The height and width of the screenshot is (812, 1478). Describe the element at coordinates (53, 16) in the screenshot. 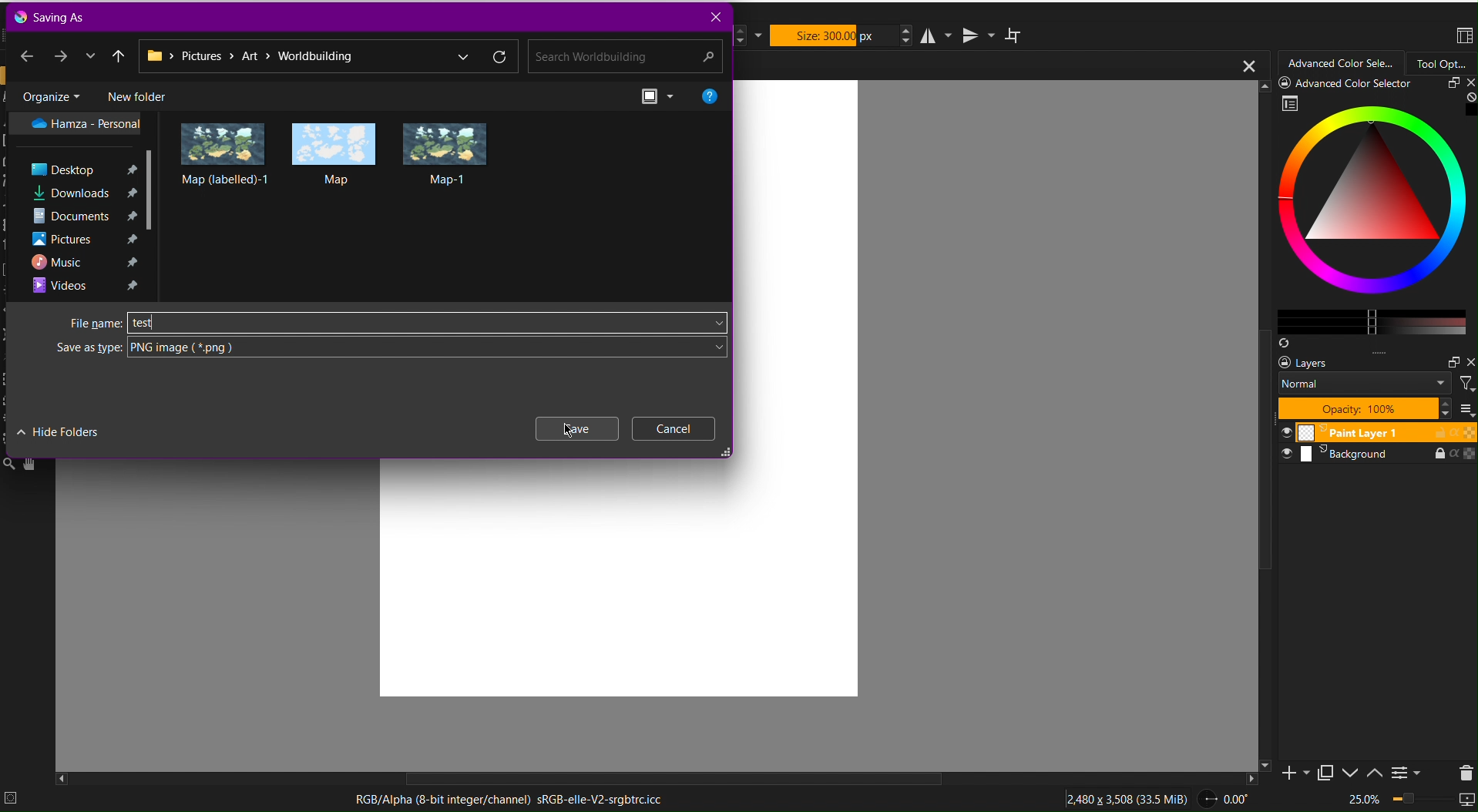

I see `Saving As` at that location.